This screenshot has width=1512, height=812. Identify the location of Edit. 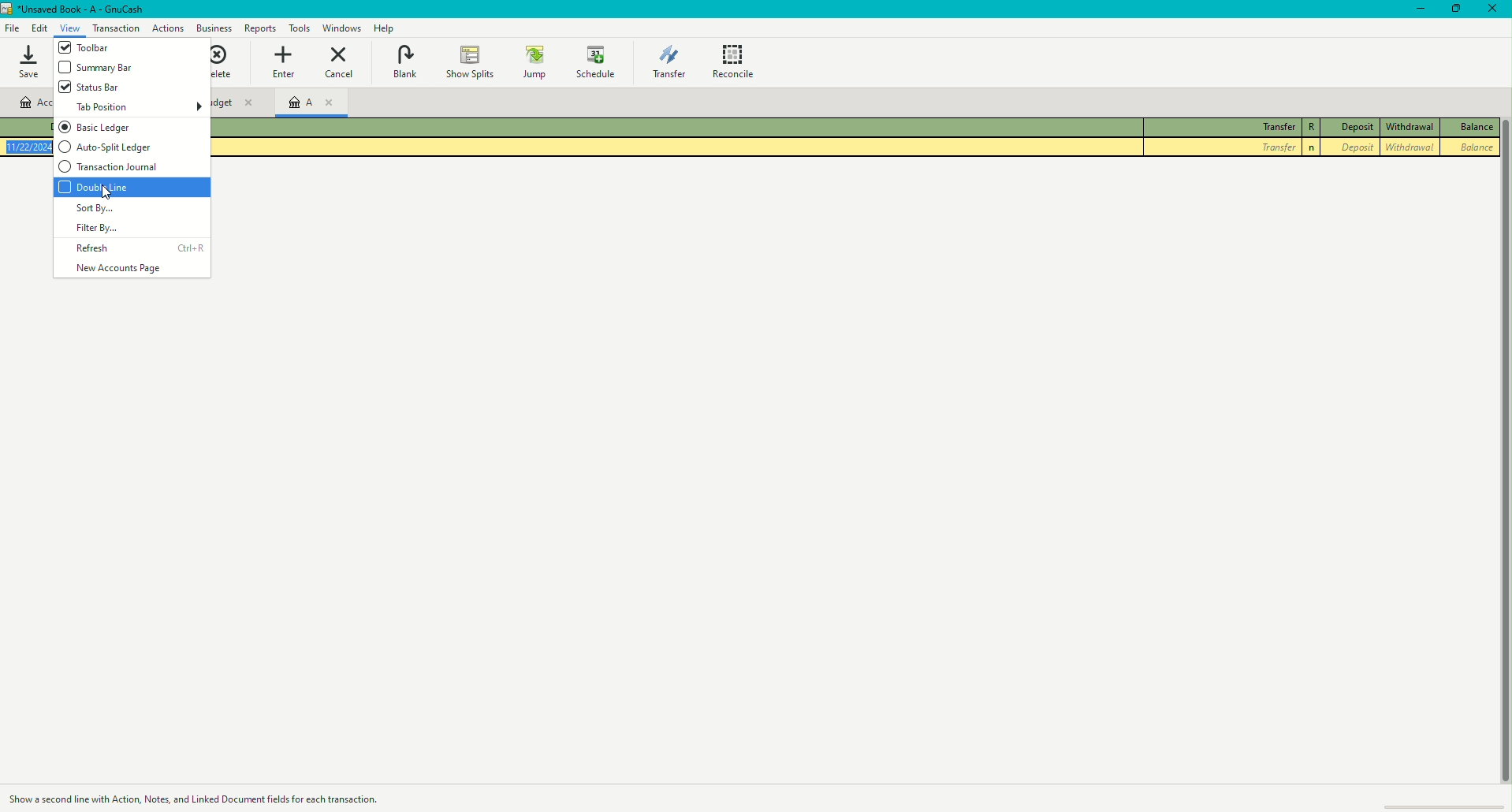
(35, 27).